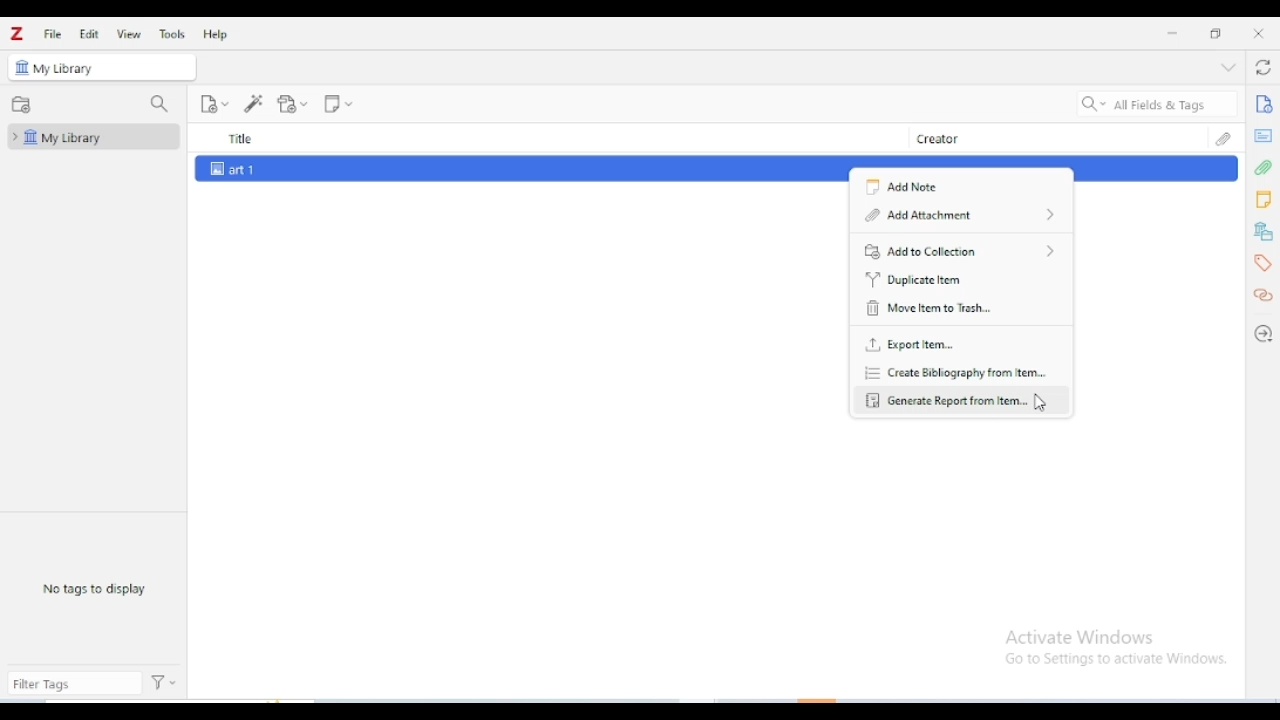 The height and width of the screenshot is (720, 1280). I want to click on tags, so click(1265, 264).